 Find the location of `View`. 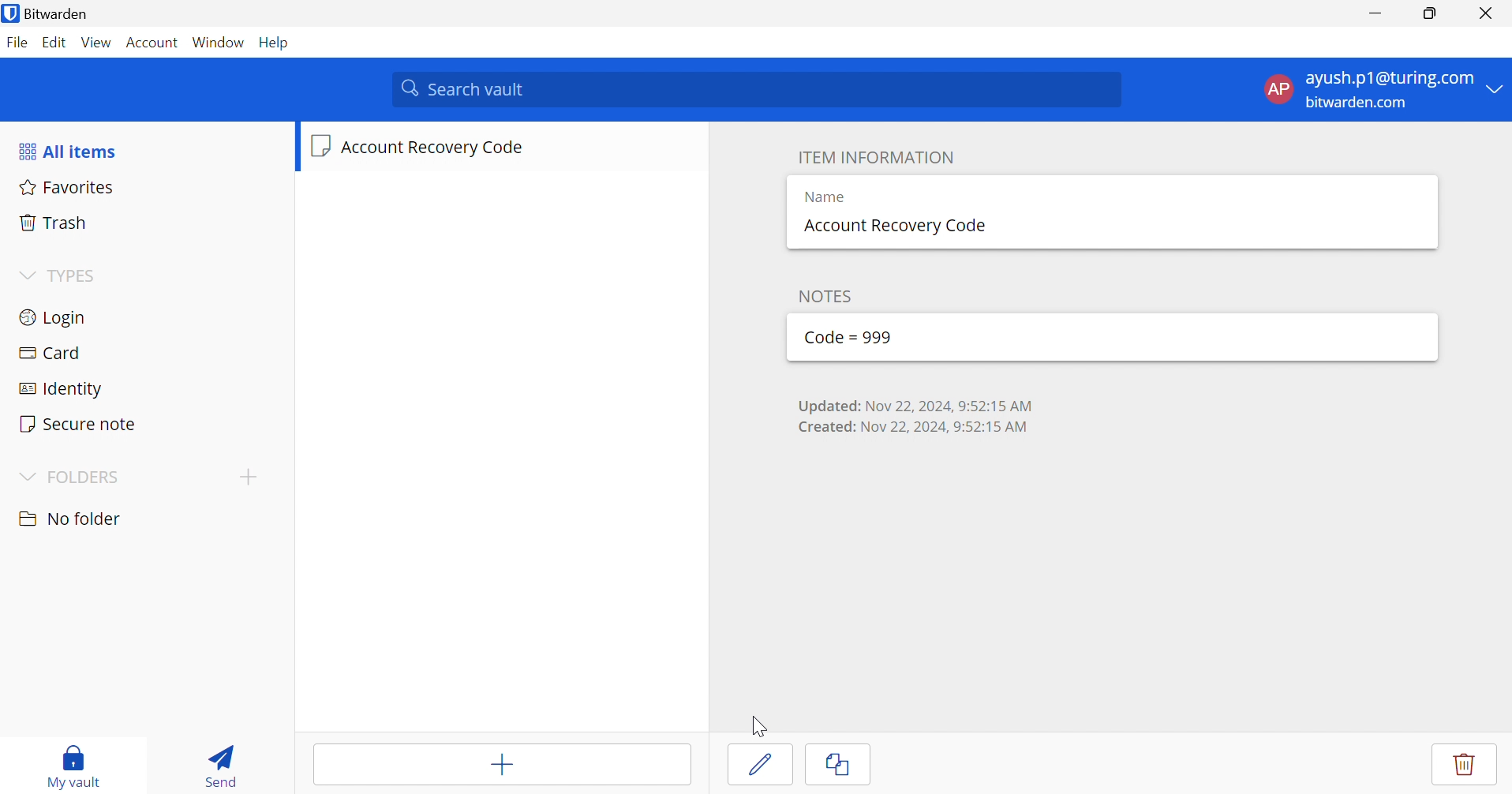

View is located at coordinates (96, 42).